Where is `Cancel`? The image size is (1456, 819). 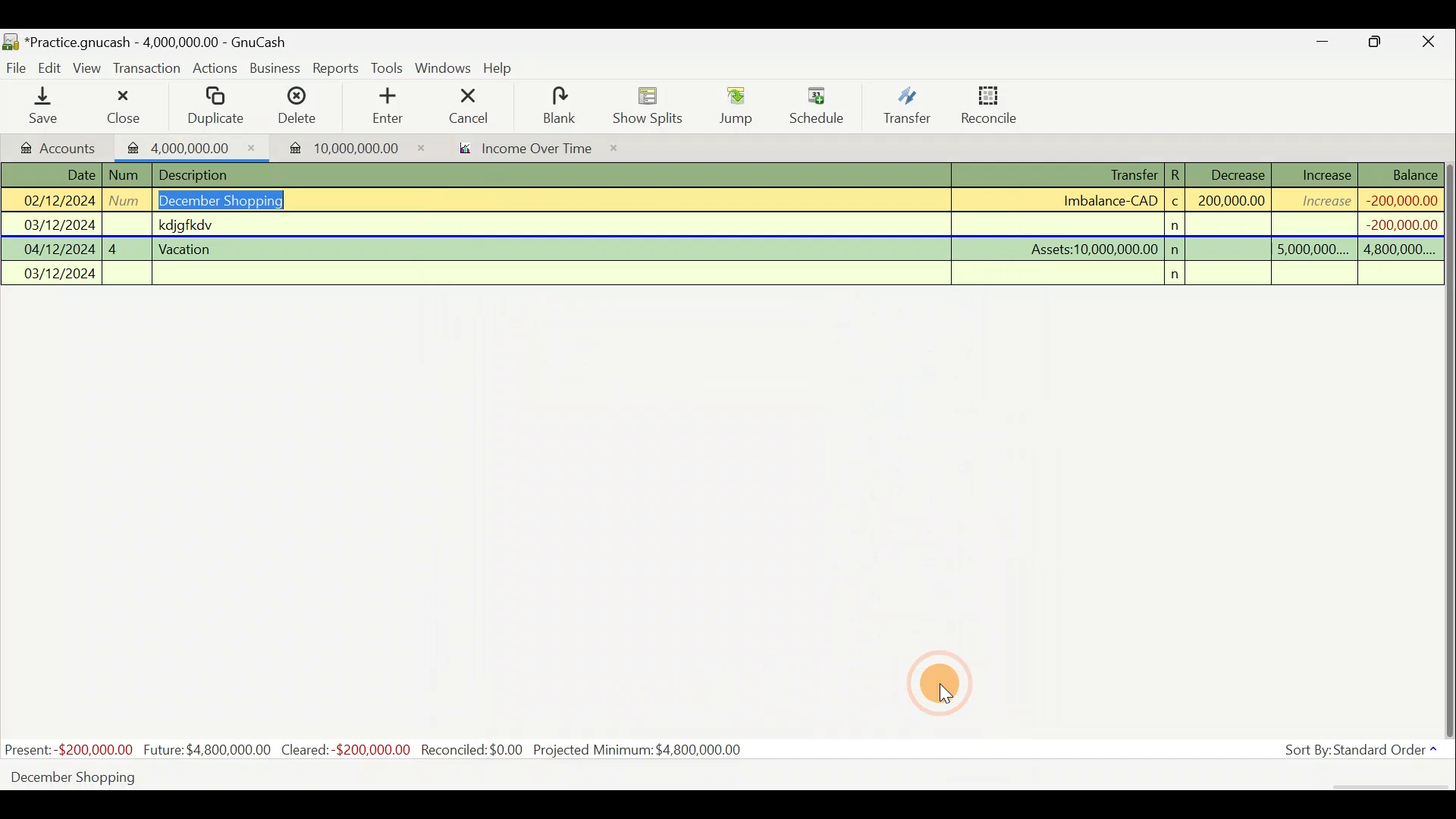 Cancel is located at coordinates (469, 105).